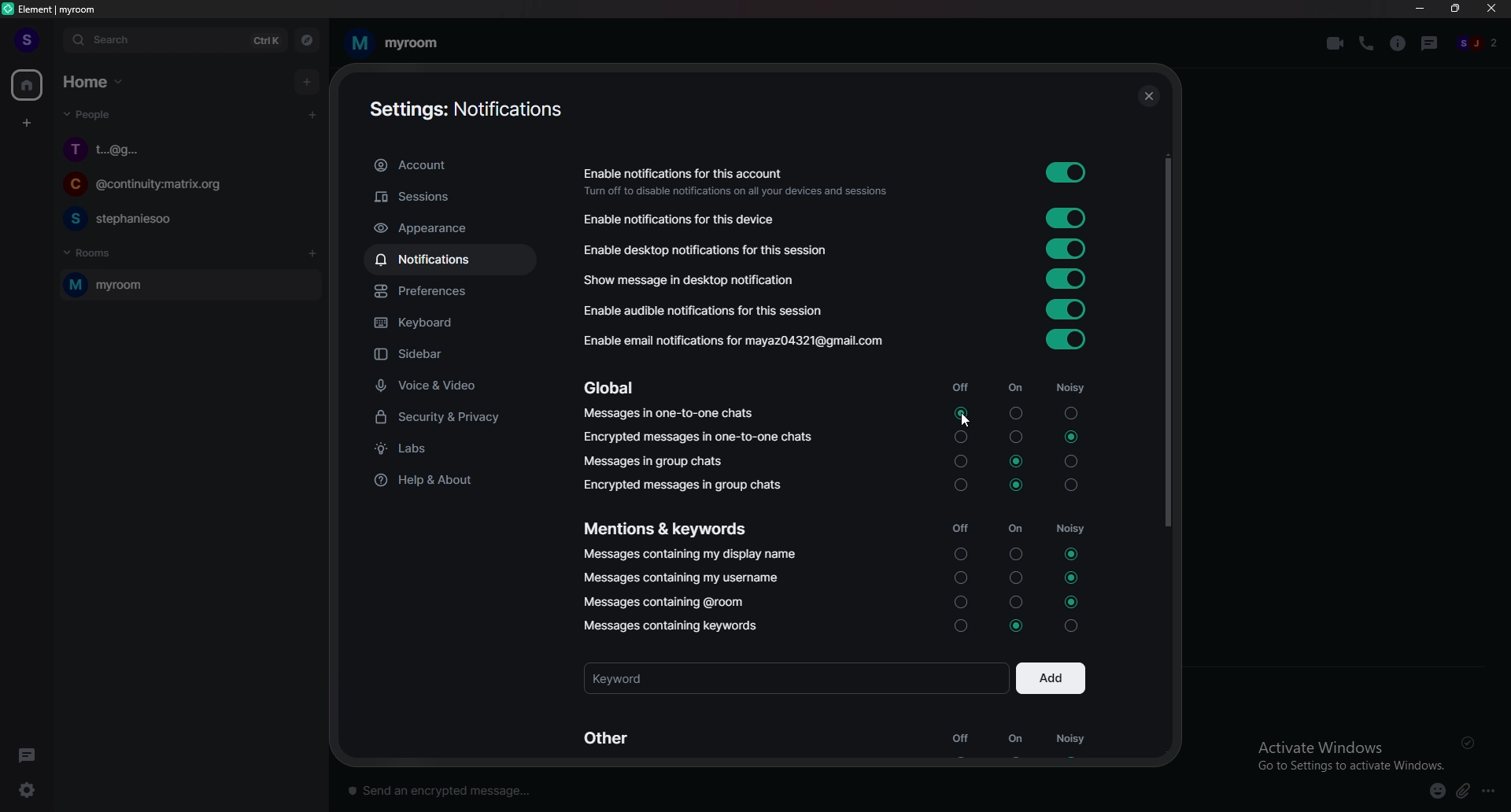 This screenshot has width=1511, height=812. What do you see at coordinates (456, 352) in the screenshot?
I see `sidebar` at bounding box center [456, 352].